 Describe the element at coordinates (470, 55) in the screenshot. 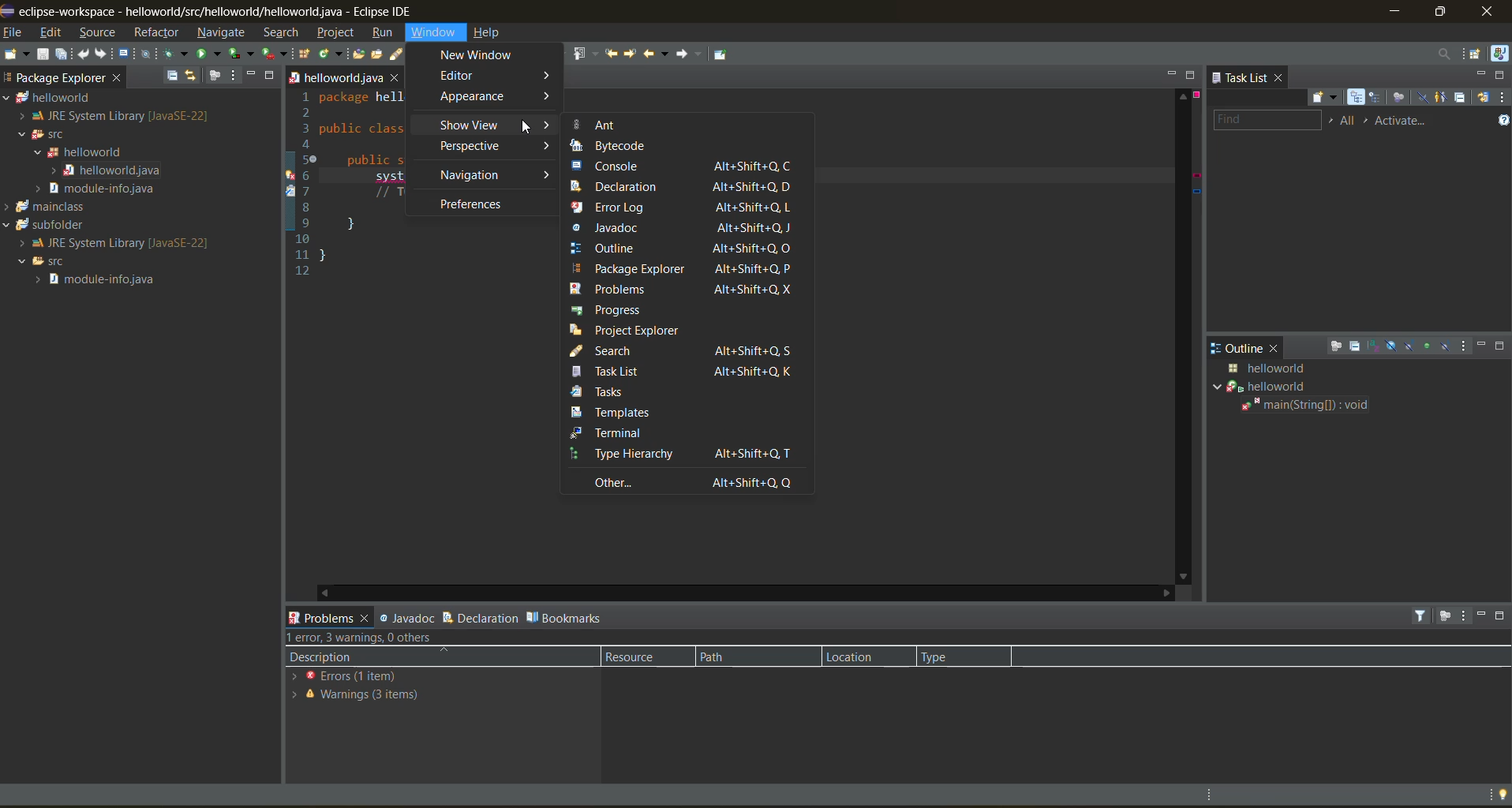

I see `automatically fold uninteresting elements` at that location.